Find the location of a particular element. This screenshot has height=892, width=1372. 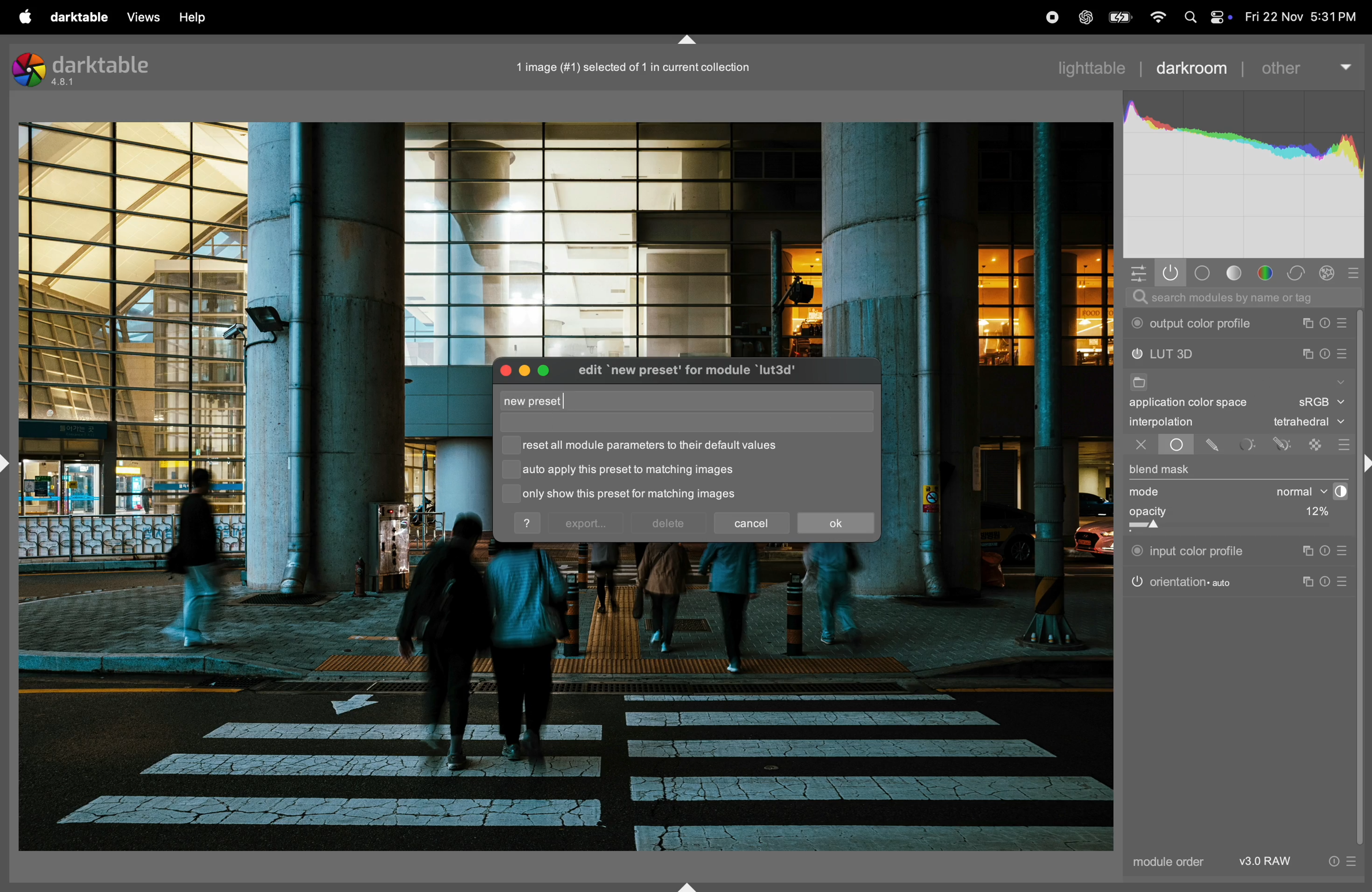

maximize is located at coordinates (546, 368).